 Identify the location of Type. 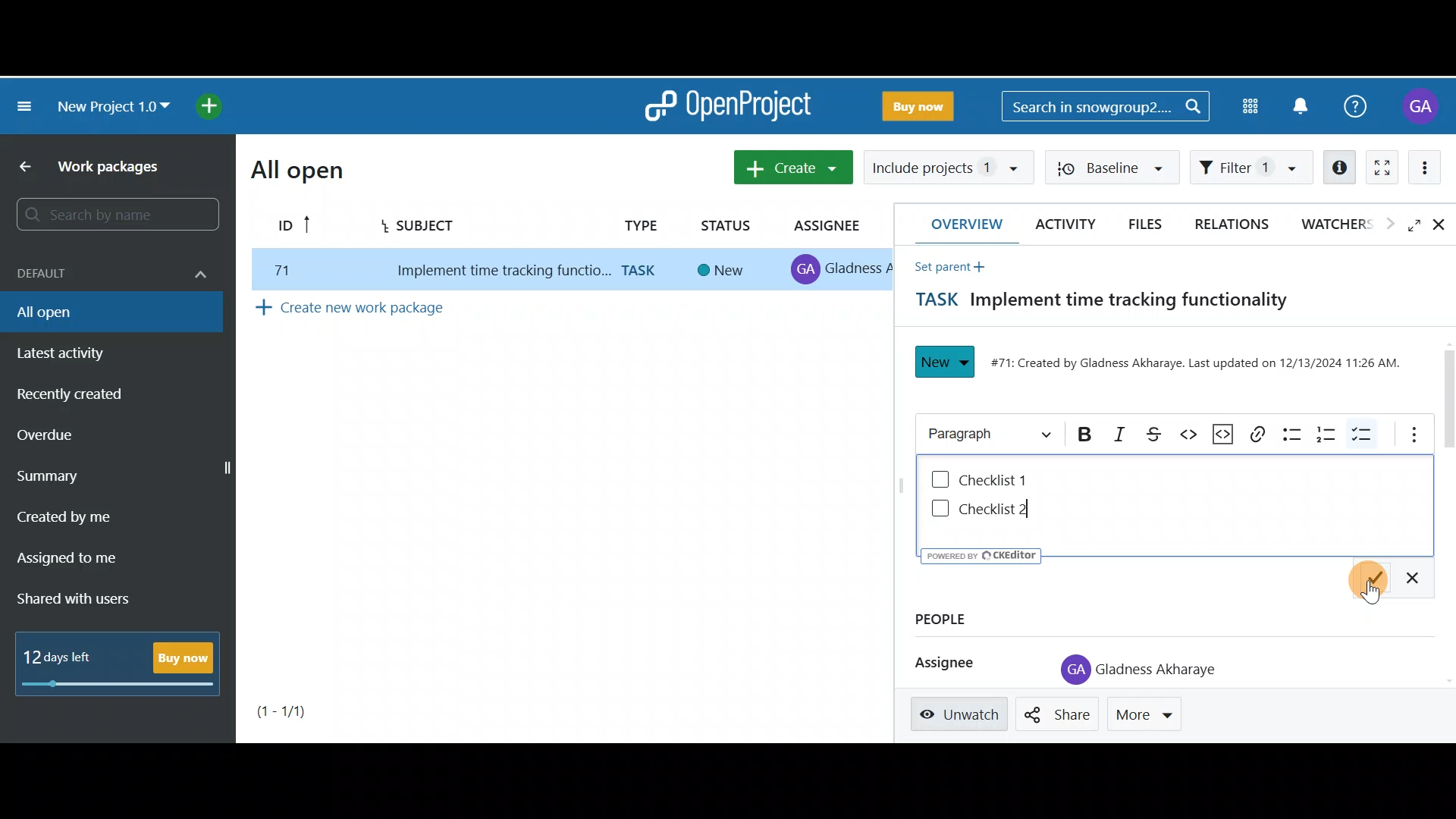
(638, 224).